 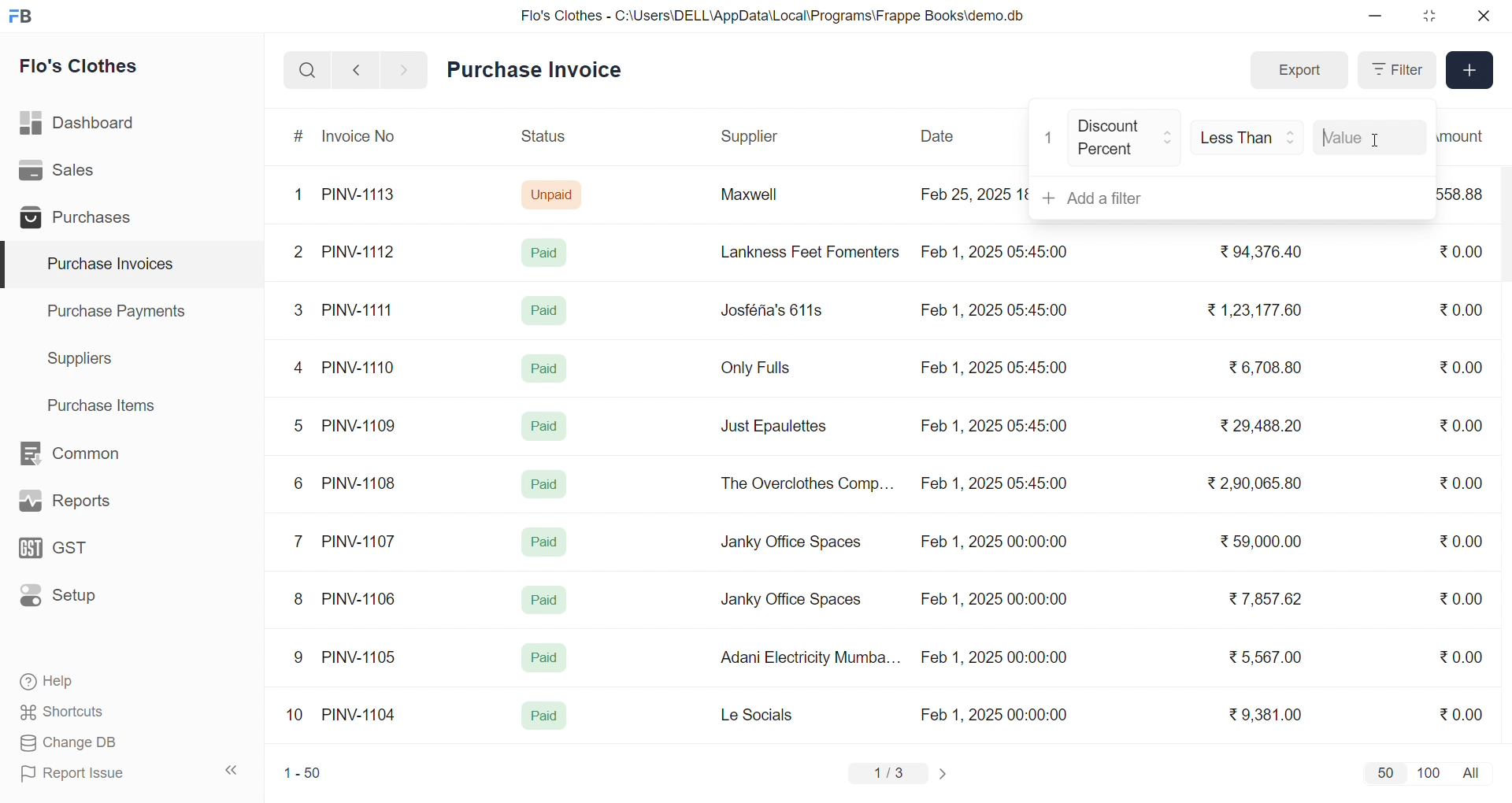 I want to click on #, so click(x=299, y=138).